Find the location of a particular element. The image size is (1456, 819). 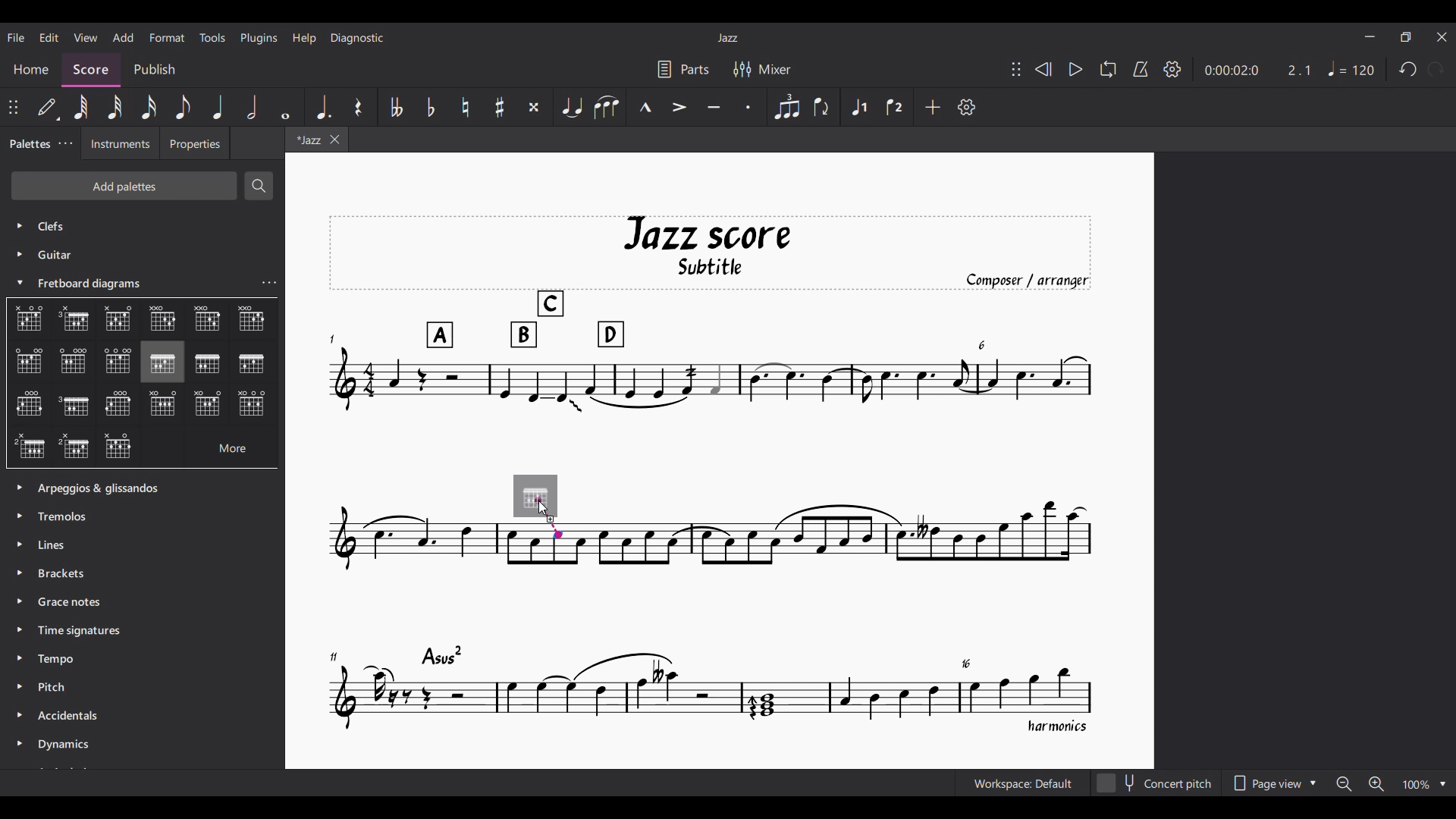

Current tab is located at coordinates (306, 139).